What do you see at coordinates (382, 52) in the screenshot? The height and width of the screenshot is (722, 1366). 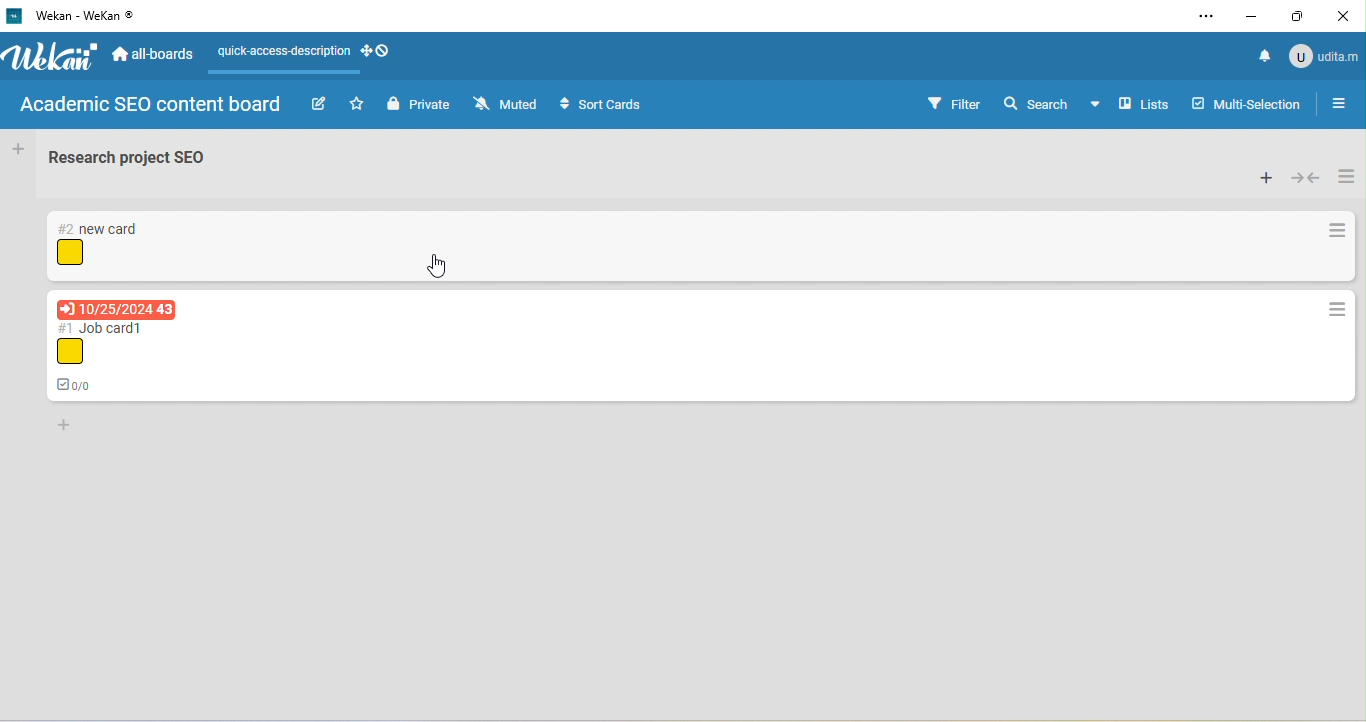 I see `desktop grab handles` at bounding box center [382, 52].